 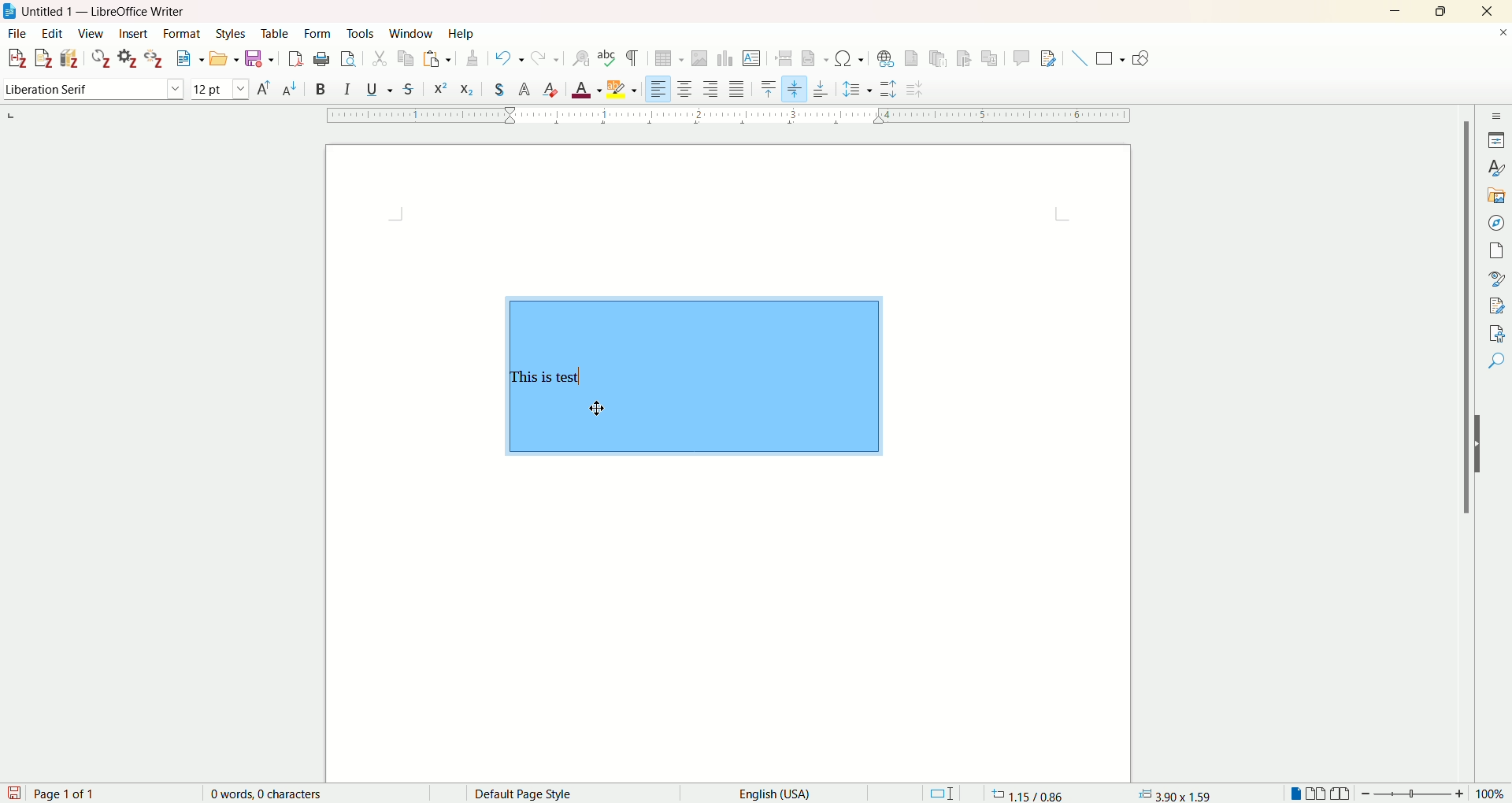 What do you see at coordinates (154, 58) in the screenshot?
I see `unlink citation` at bounding box center [154, 58].